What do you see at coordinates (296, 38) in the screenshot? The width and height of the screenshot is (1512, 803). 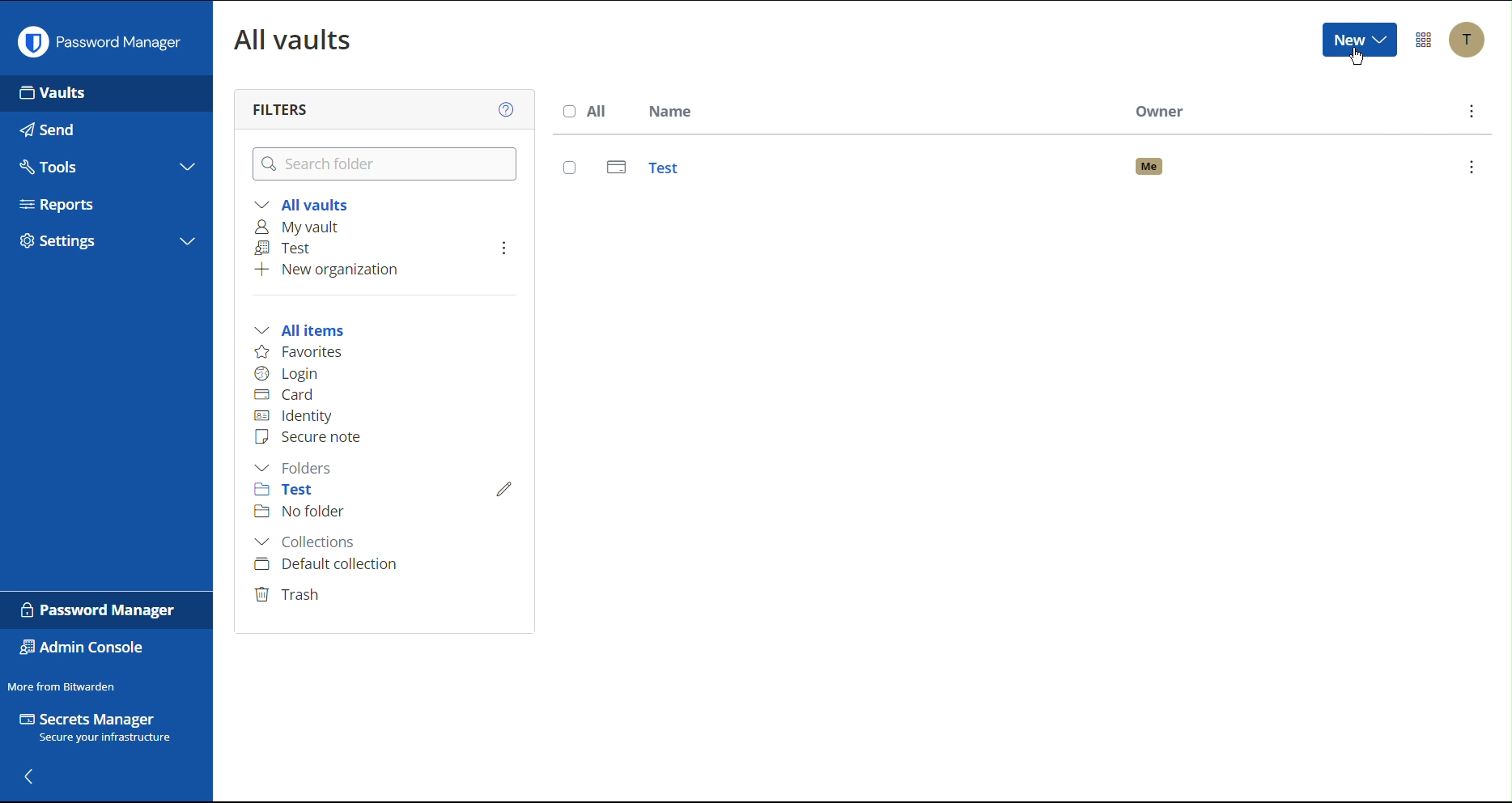 I see `All Vaults` at bounding box center [296, 38].